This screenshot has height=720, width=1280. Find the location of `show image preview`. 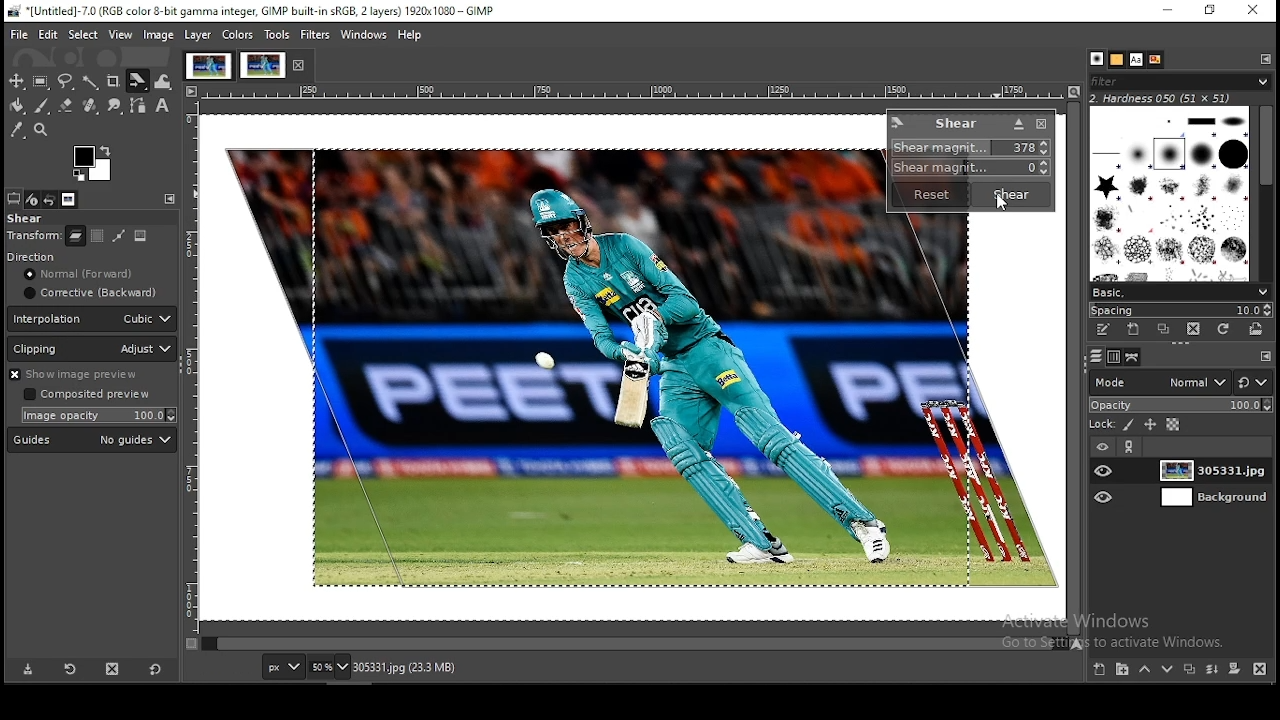

show image preview is located at coordinates (88, 375).